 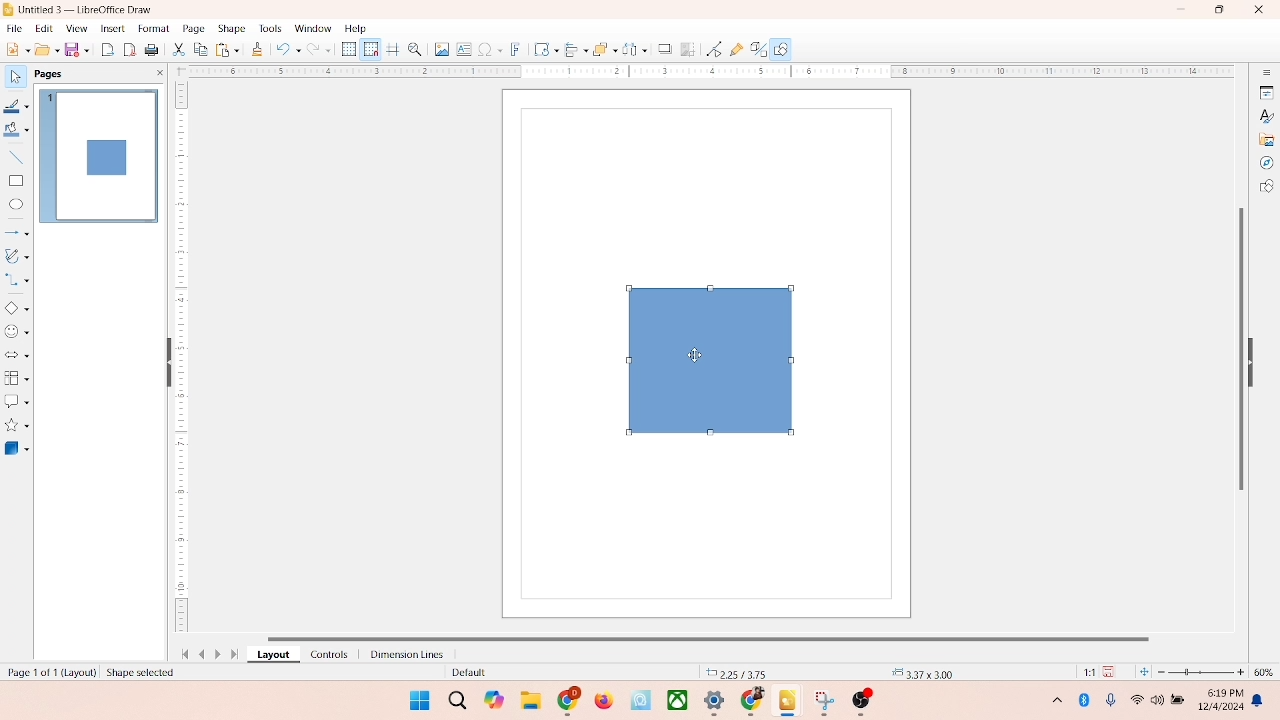 What do you see at coordinates (1088, 700) in the screenshot?
I see `Bluetooth` at bounding box center [1088, 700].